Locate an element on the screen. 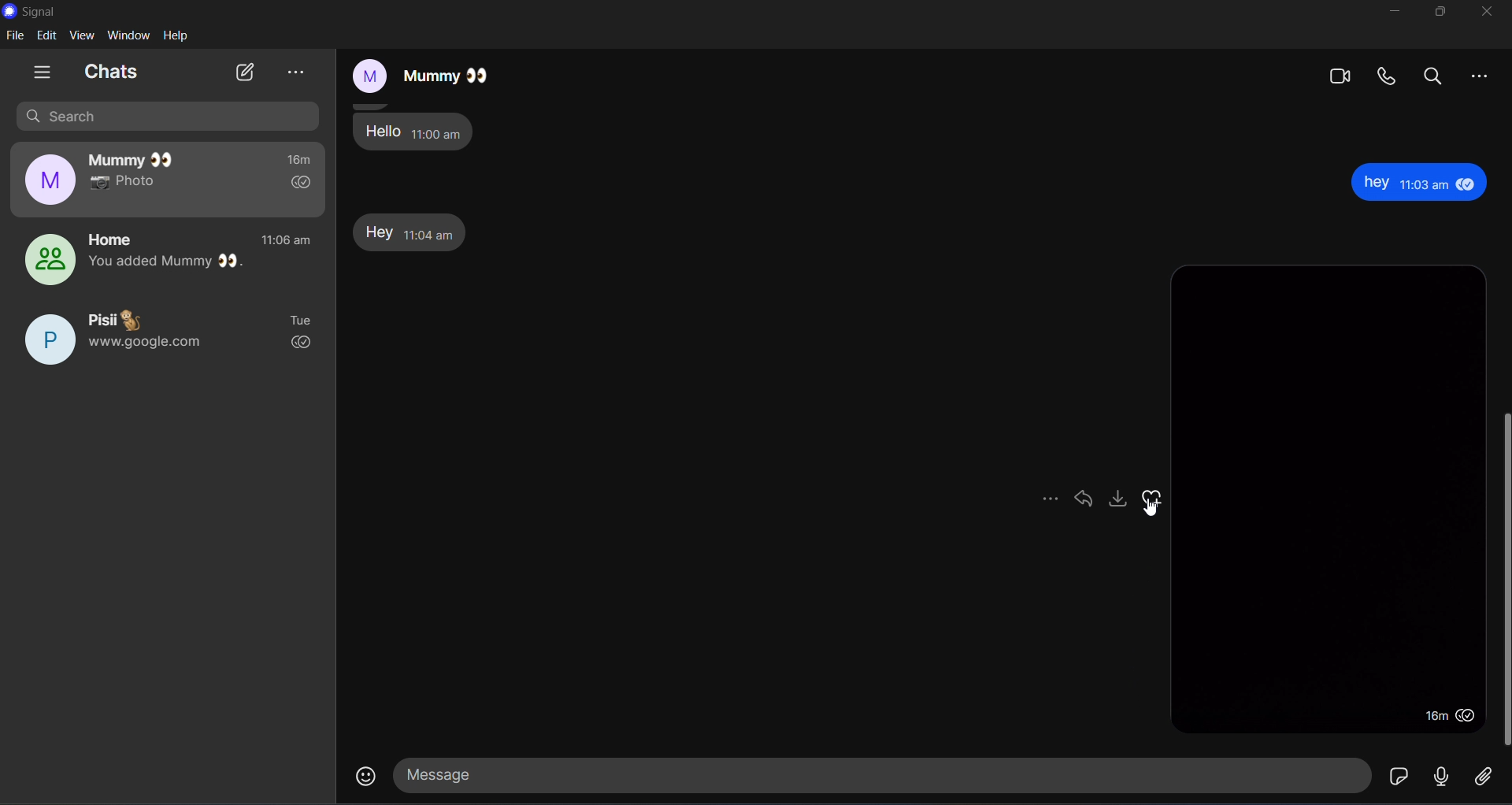 The height and width of the screenshot is (805, 1512). file share is located at coordinates (1482, 779).